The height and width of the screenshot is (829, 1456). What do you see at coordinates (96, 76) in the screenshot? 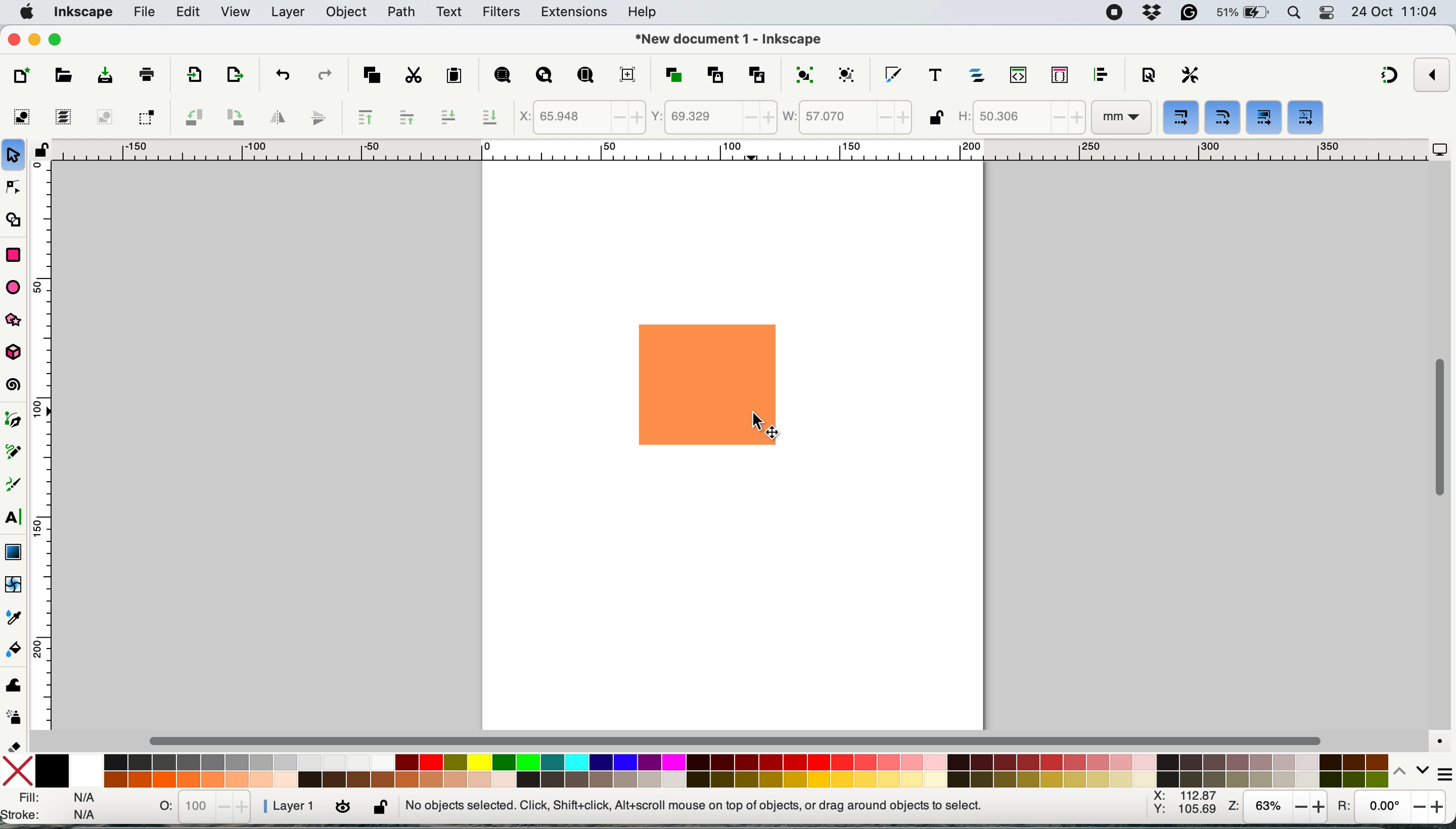
I see `save` at bounding box center [96, 76].